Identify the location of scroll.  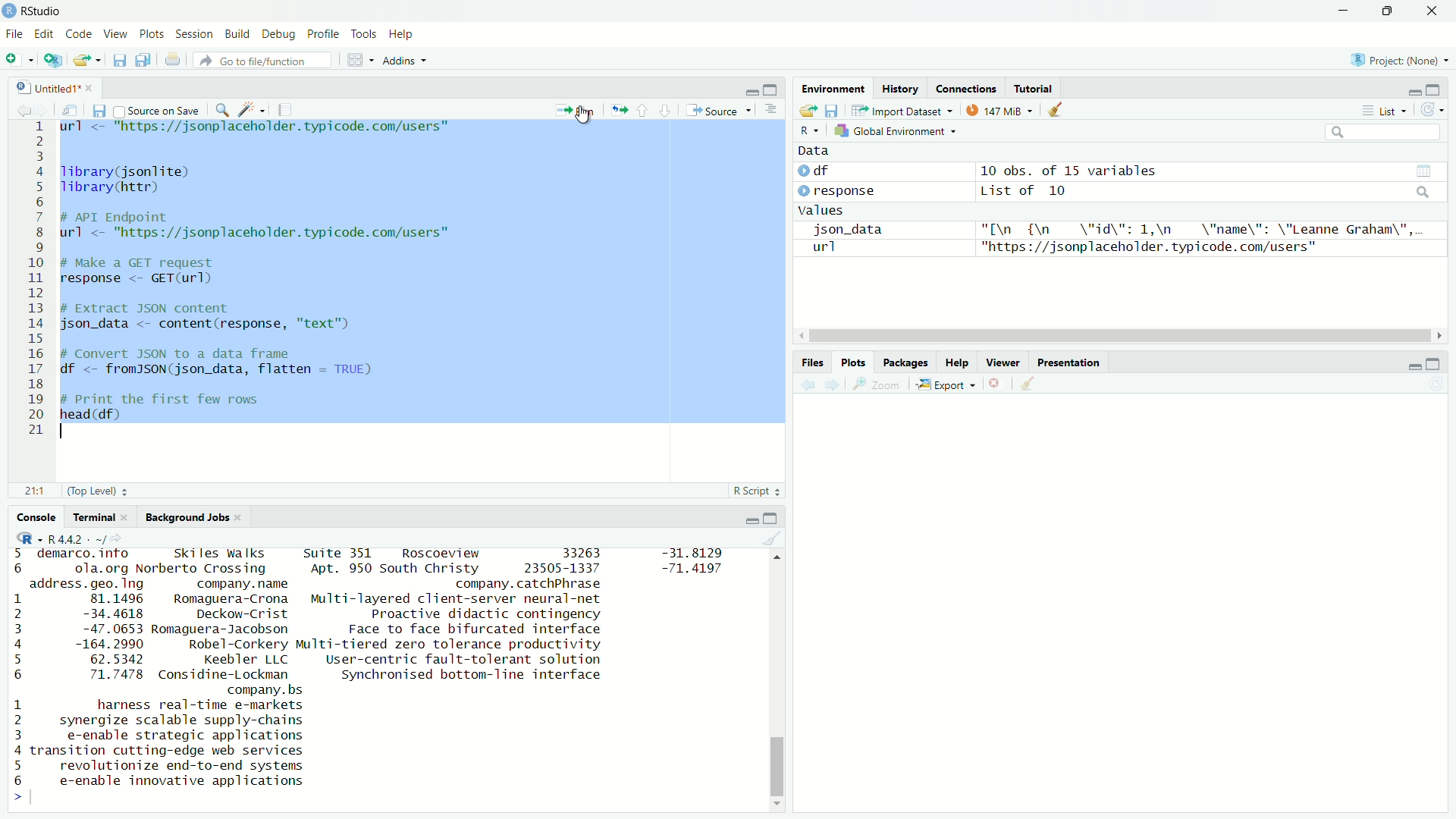
(1121, 336).